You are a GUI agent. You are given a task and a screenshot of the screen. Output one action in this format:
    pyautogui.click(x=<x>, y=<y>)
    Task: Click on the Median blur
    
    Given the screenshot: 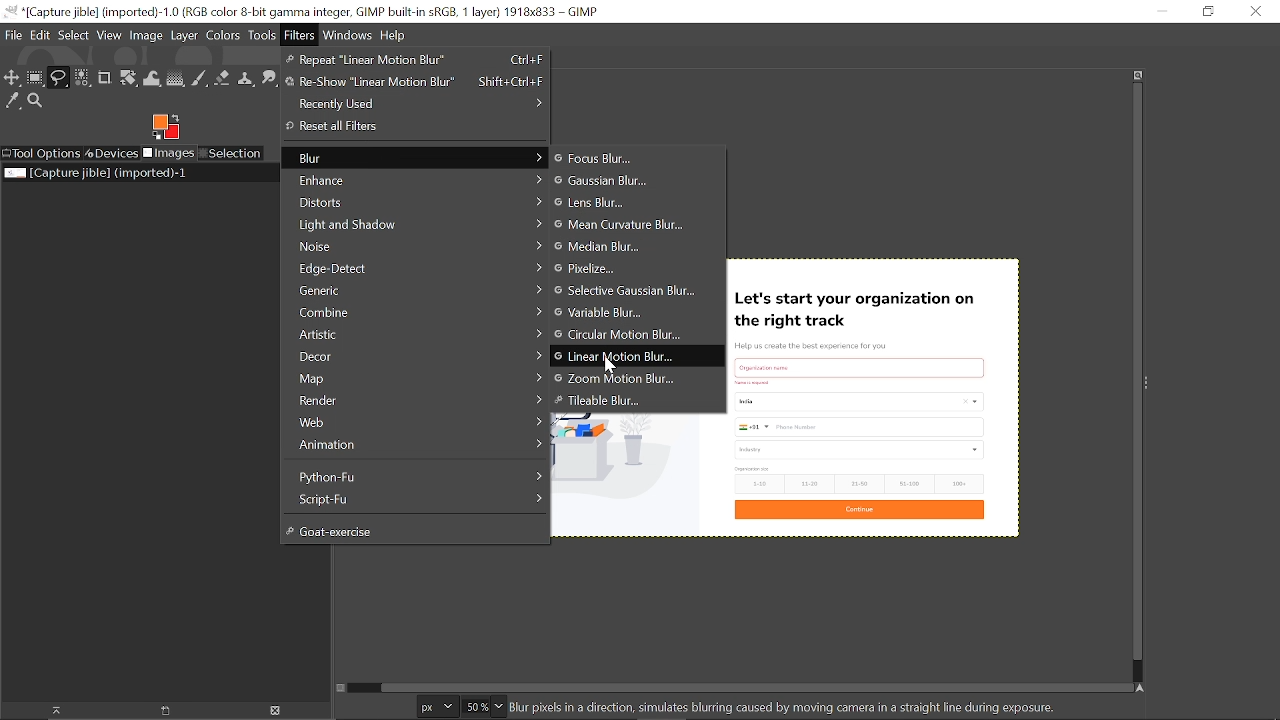 What is the action you would take?
    pyautogui.click(x=619, y=247)
    